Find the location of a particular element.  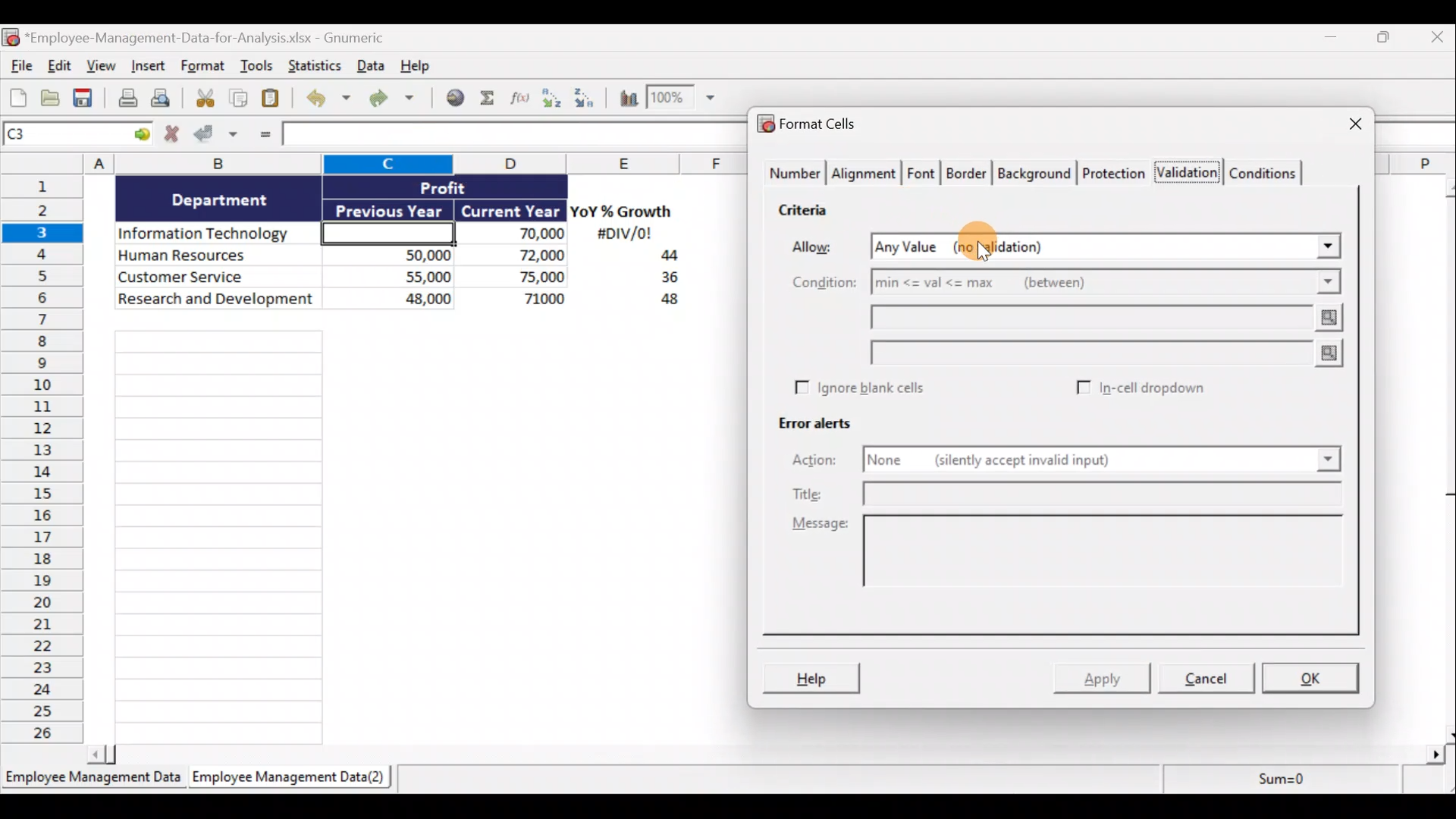

#DIV/0! is located at coordinates (623, 234).